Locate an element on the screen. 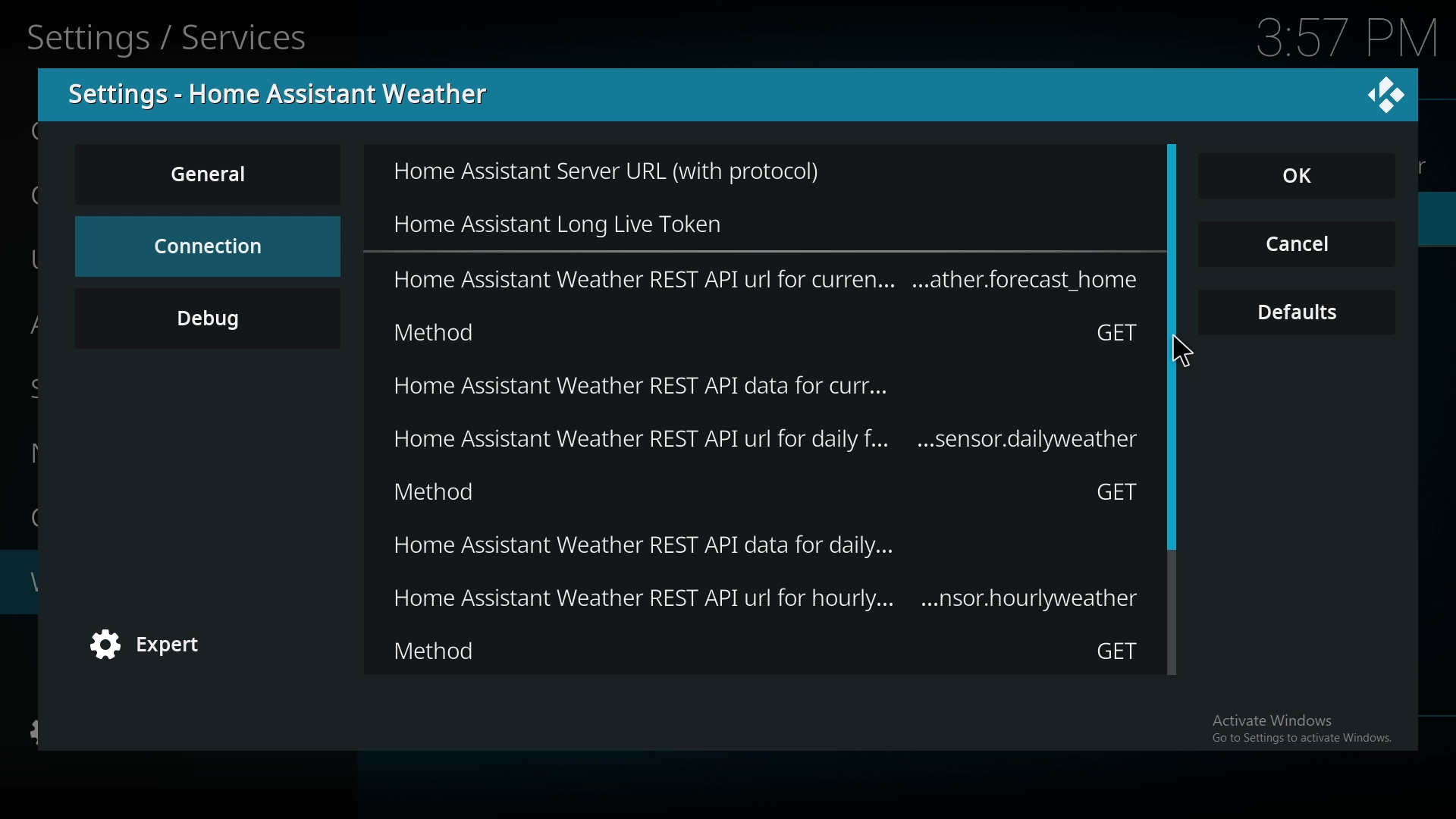 Image resolution: width=1456 pixels, height=819 pixels. hourly home assistant weather rest api url for hourly.. is located at coordinates (766, 600).